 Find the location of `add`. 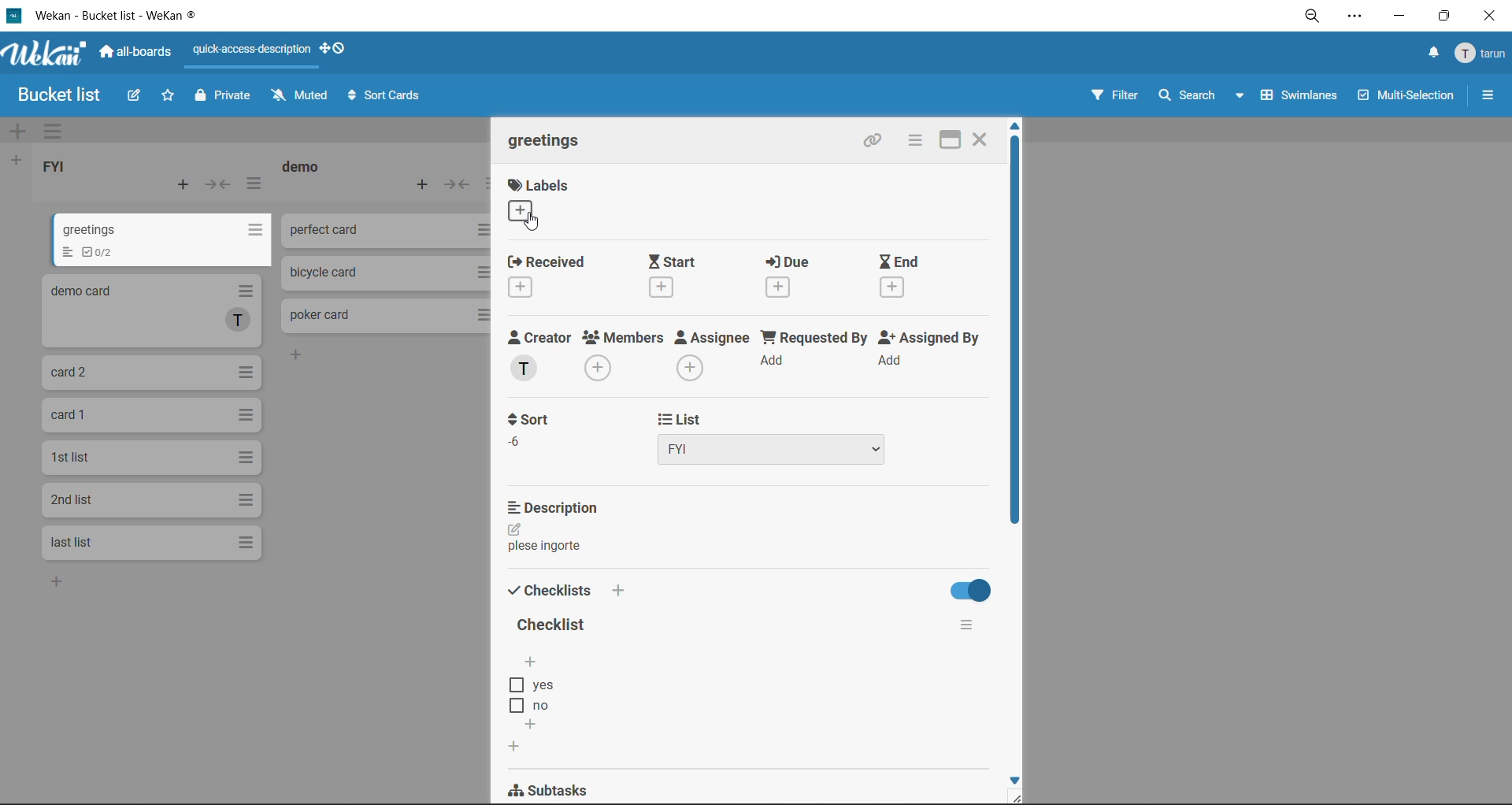

add is located at coordinates (57, 585).